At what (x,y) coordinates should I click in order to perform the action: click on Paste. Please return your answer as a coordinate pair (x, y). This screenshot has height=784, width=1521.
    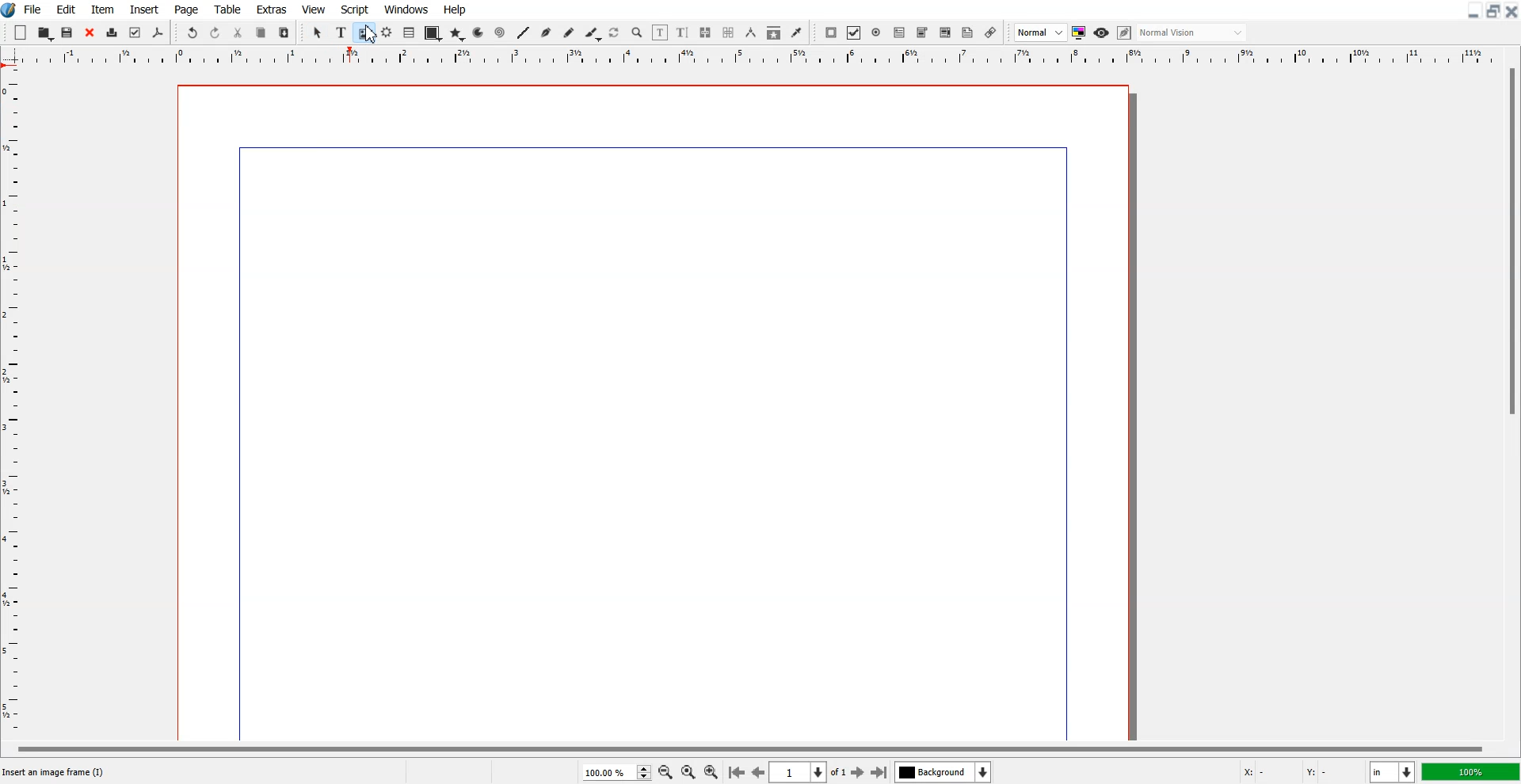
    Looking at the image, I should click on (284, 32).